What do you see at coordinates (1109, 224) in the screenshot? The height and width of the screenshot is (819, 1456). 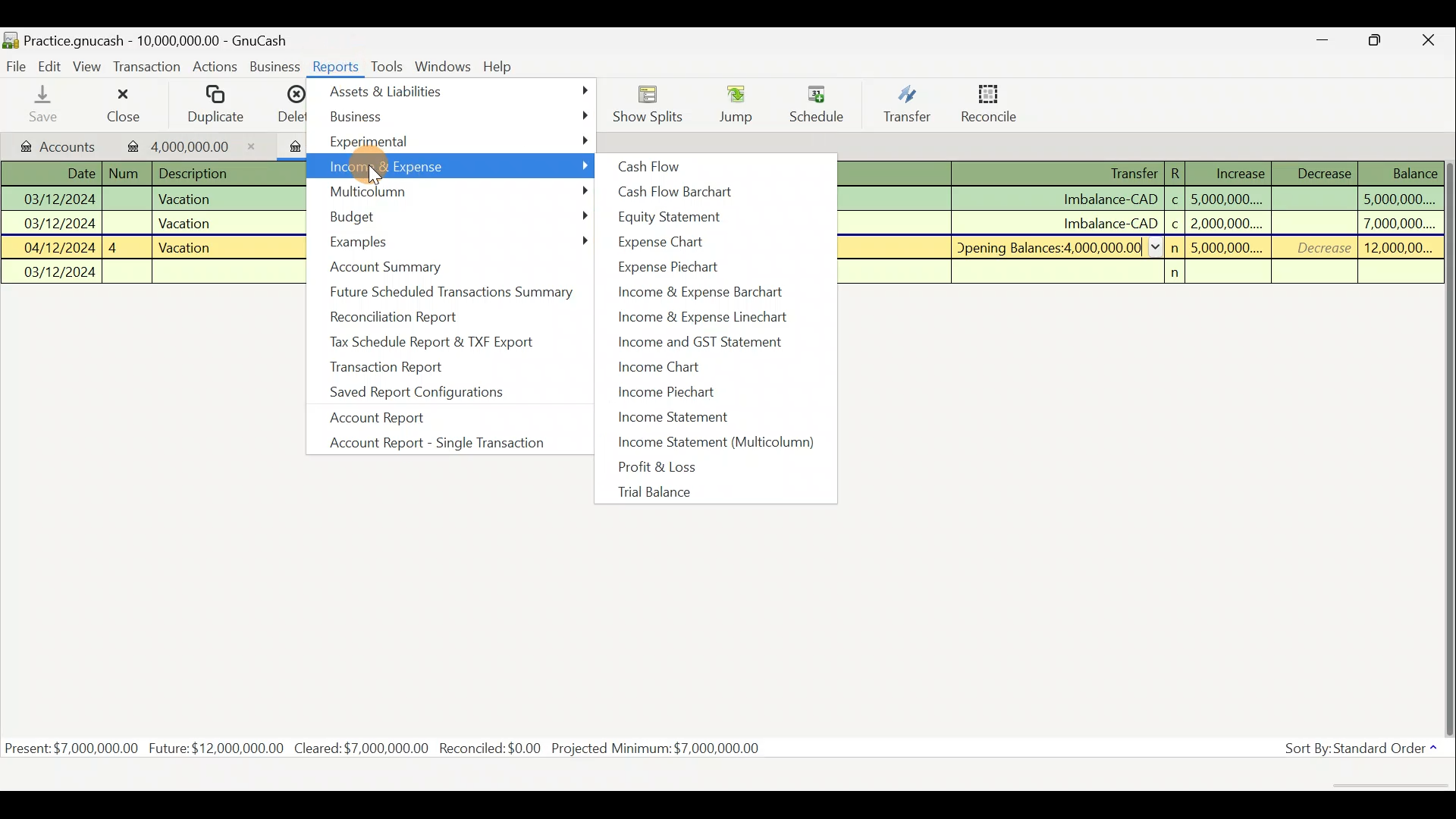 I see `Imbalance-CAD` at bounding box center [1109, 224].